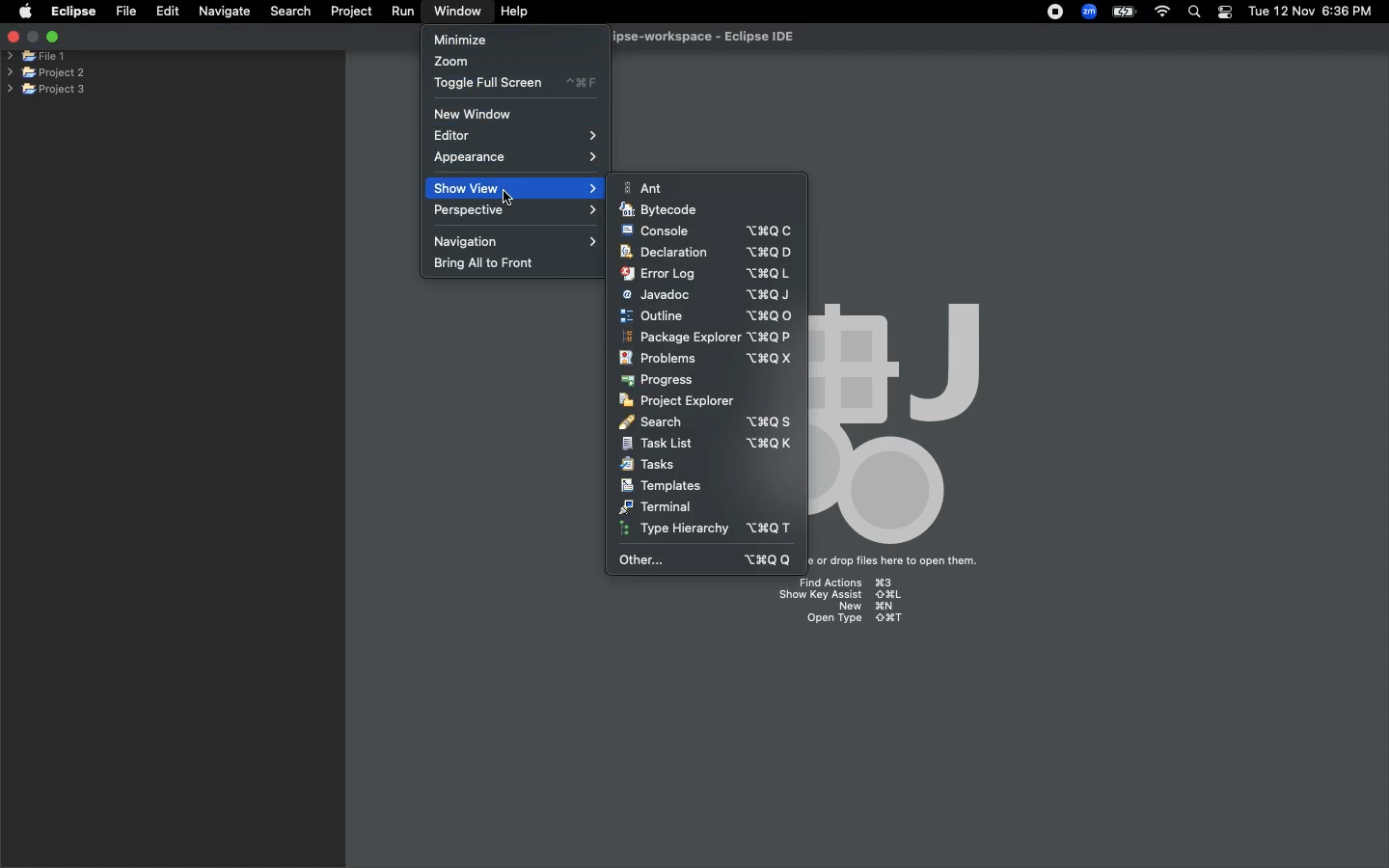 This screenshot has height=868, width=1389. I want to click on Project explorer, so click(677, 400).